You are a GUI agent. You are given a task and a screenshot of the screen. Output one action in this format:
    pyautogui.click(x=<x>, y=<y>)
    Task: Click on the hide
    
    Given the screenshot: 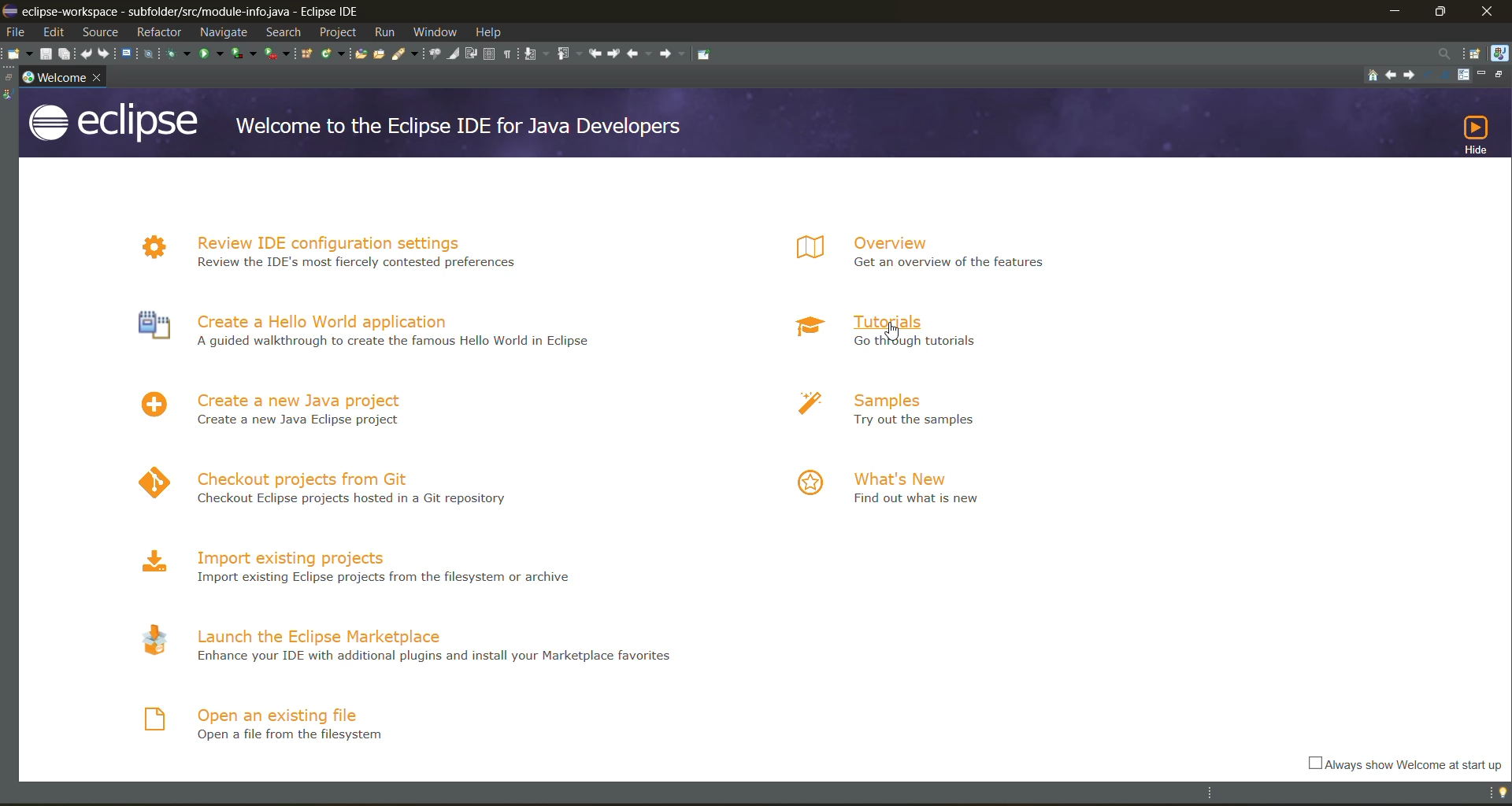 What is the action you would take?
    pyautogui.click(x=1477, y=136)
    